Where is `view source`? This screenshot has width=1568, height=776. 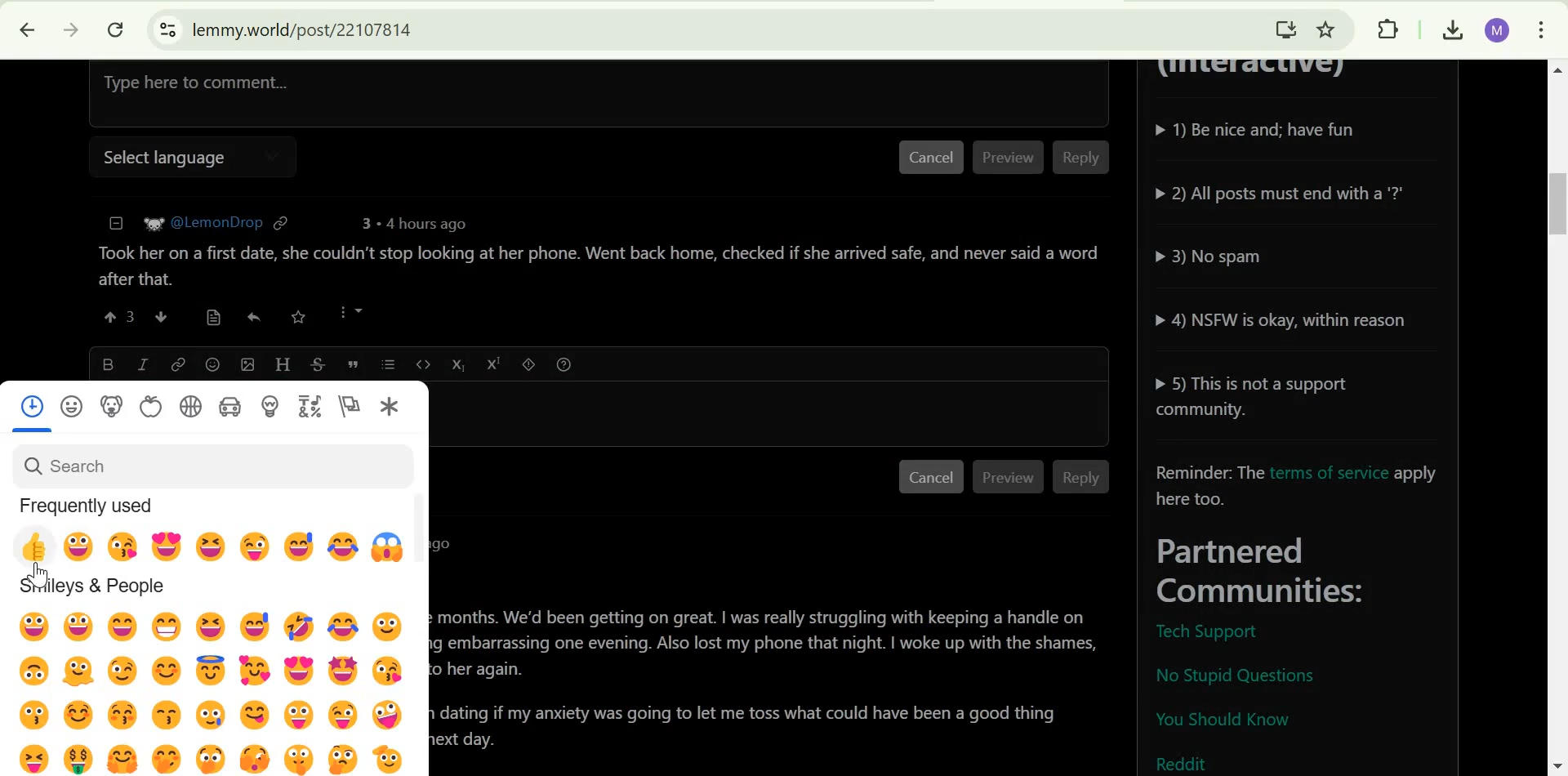 view source is located at coordinates (212, 317).